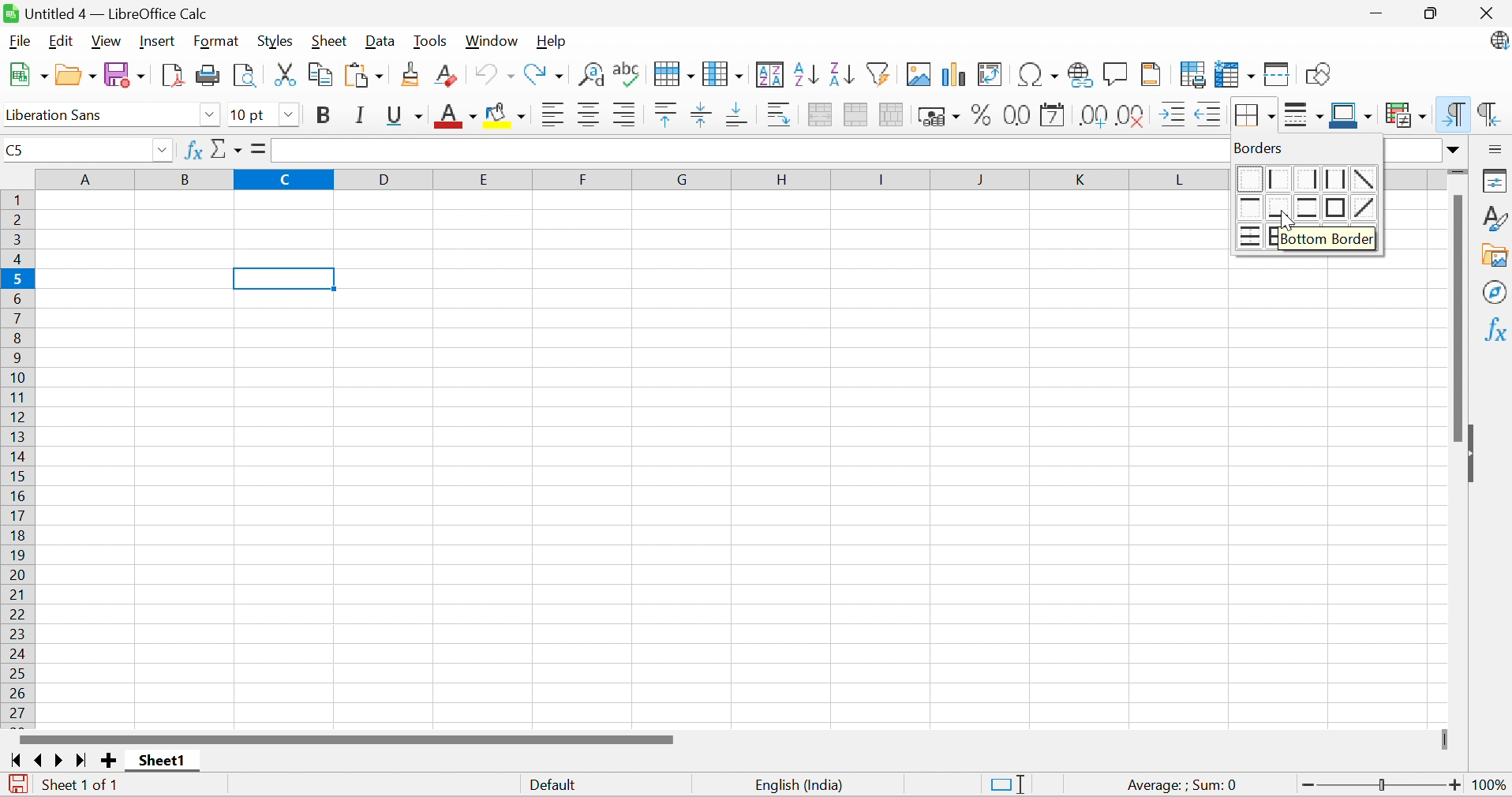 This screenshot has width=1512, height=797. I want to click on Bottom border, so click(1331, 239).